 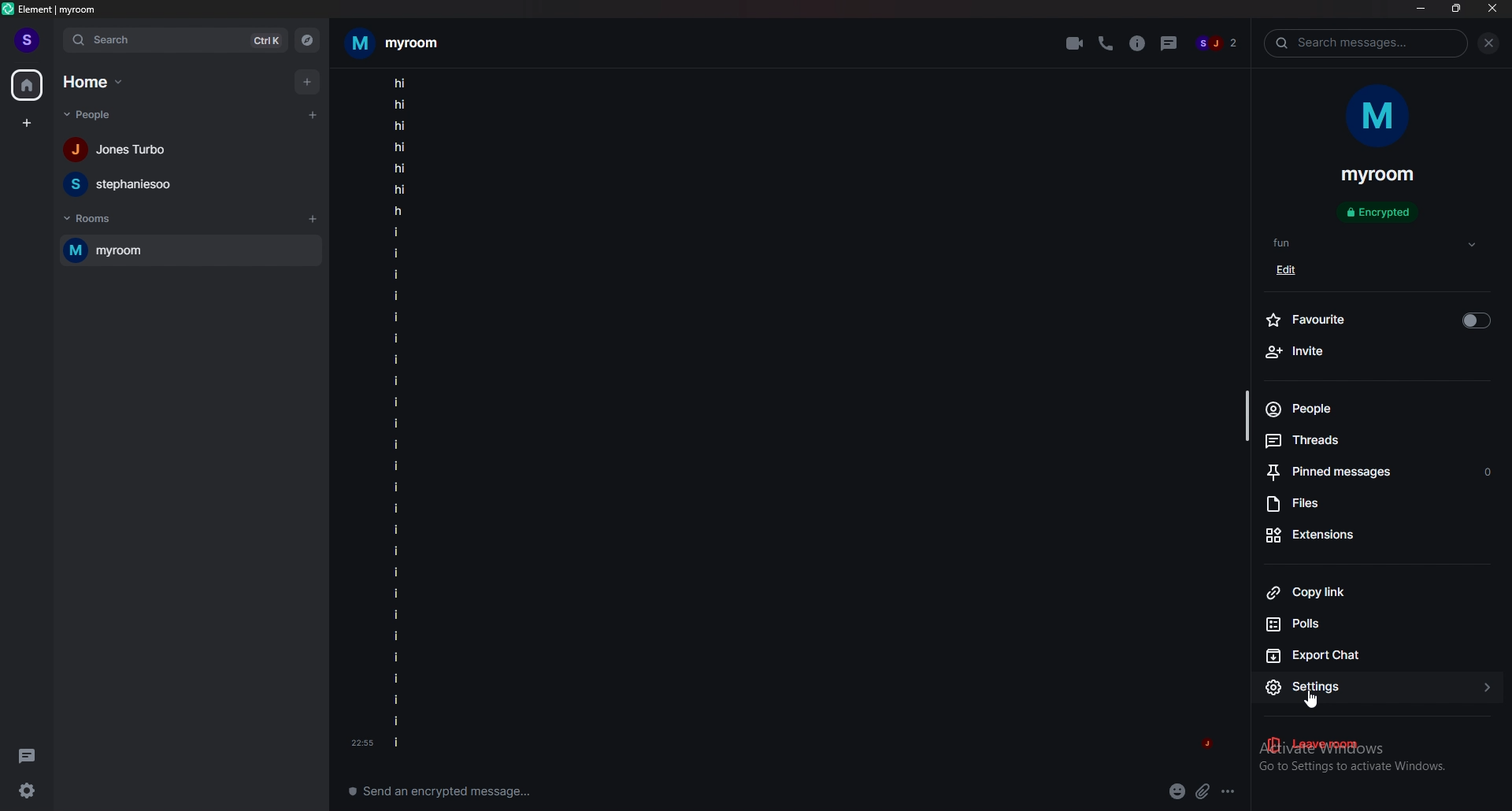 What do you see at coordinates (1217, 45) in the screenshot?
I see `people` at bounding box center [1217, 45].